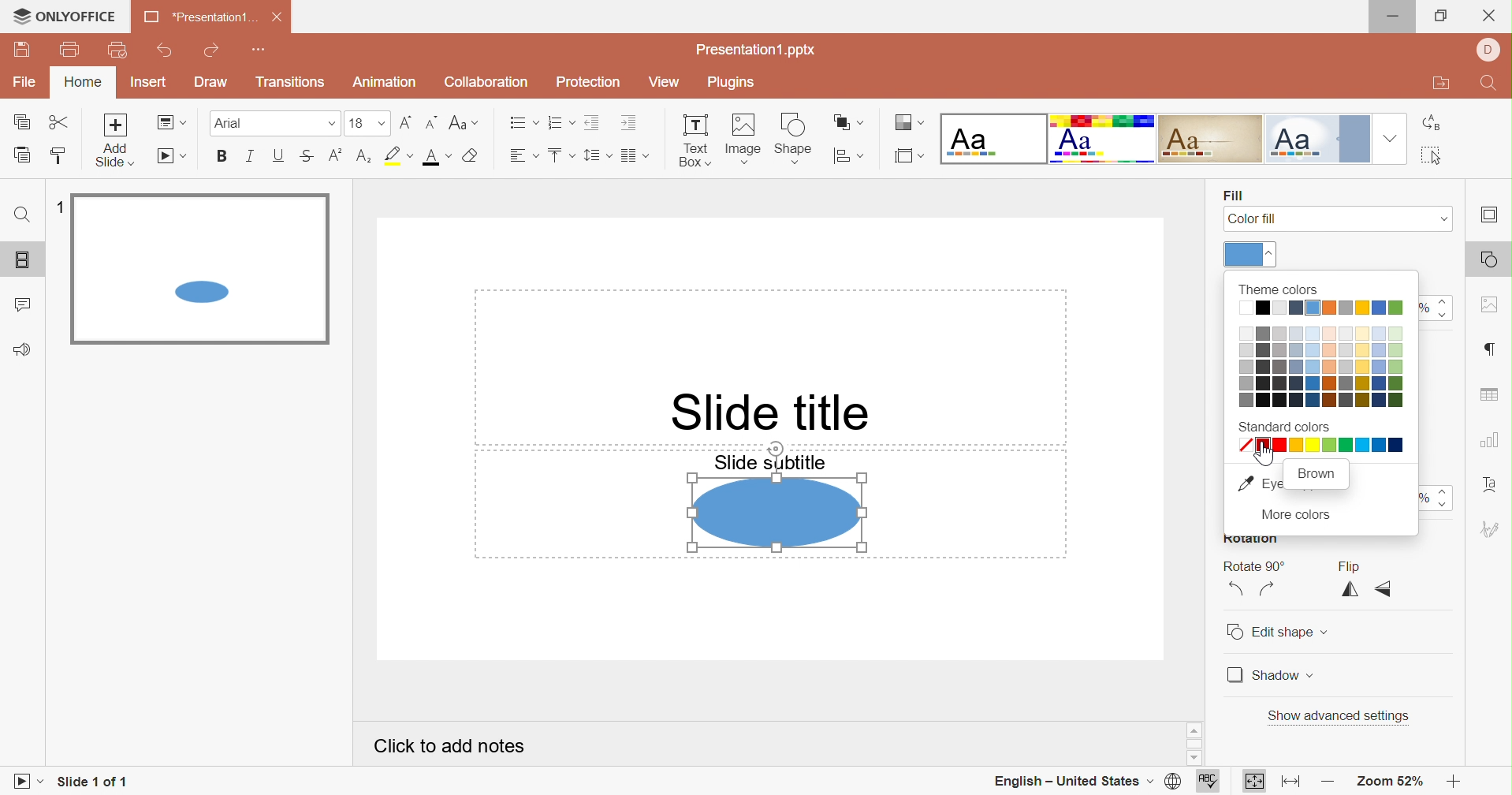 This screenshot has width=1512, height=795. I want to click on Line spacing, so click(597, 155).